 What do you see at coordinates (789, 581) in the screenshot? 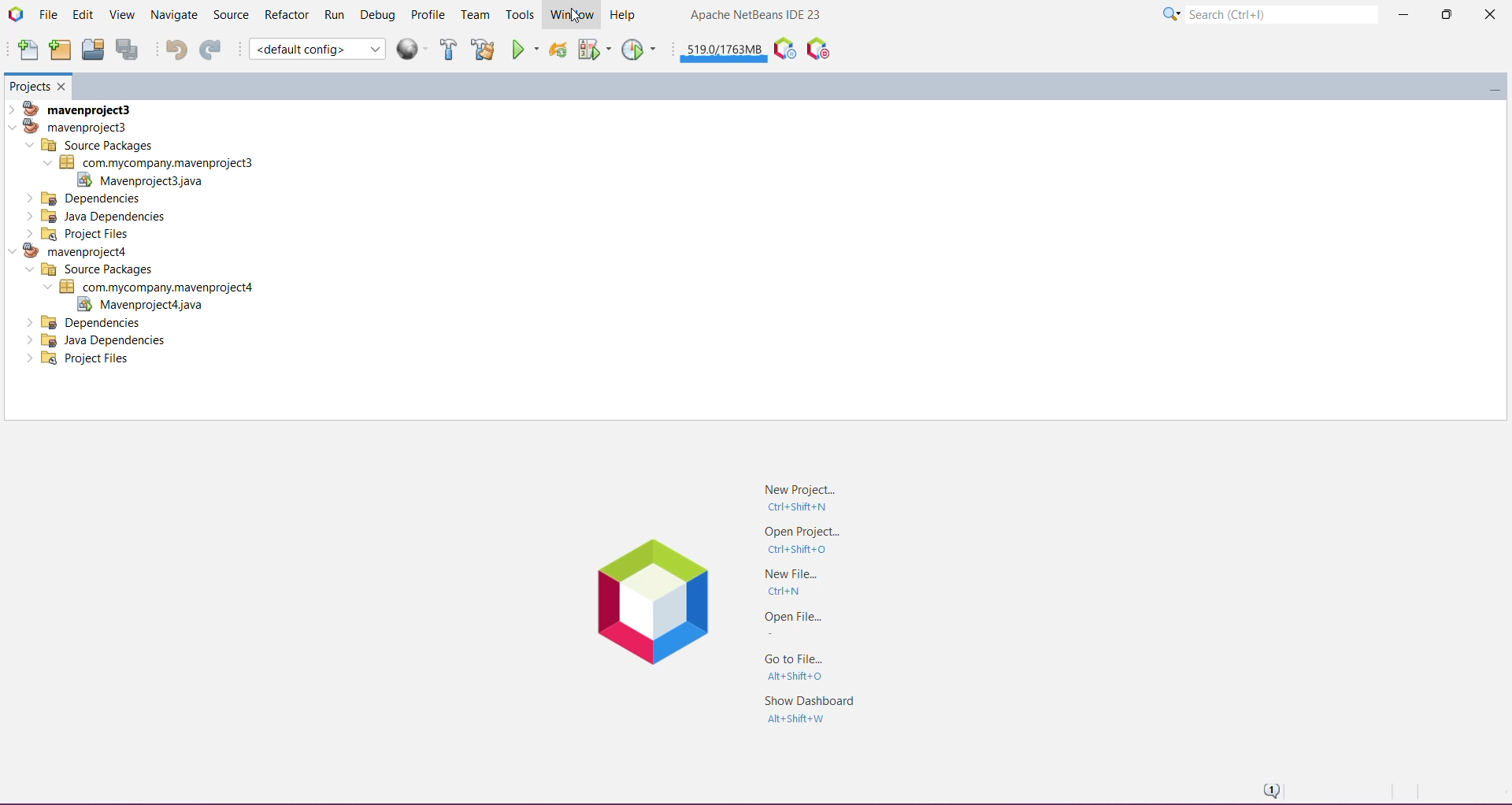
I see `New Files...` at bounding box center [789, 581].